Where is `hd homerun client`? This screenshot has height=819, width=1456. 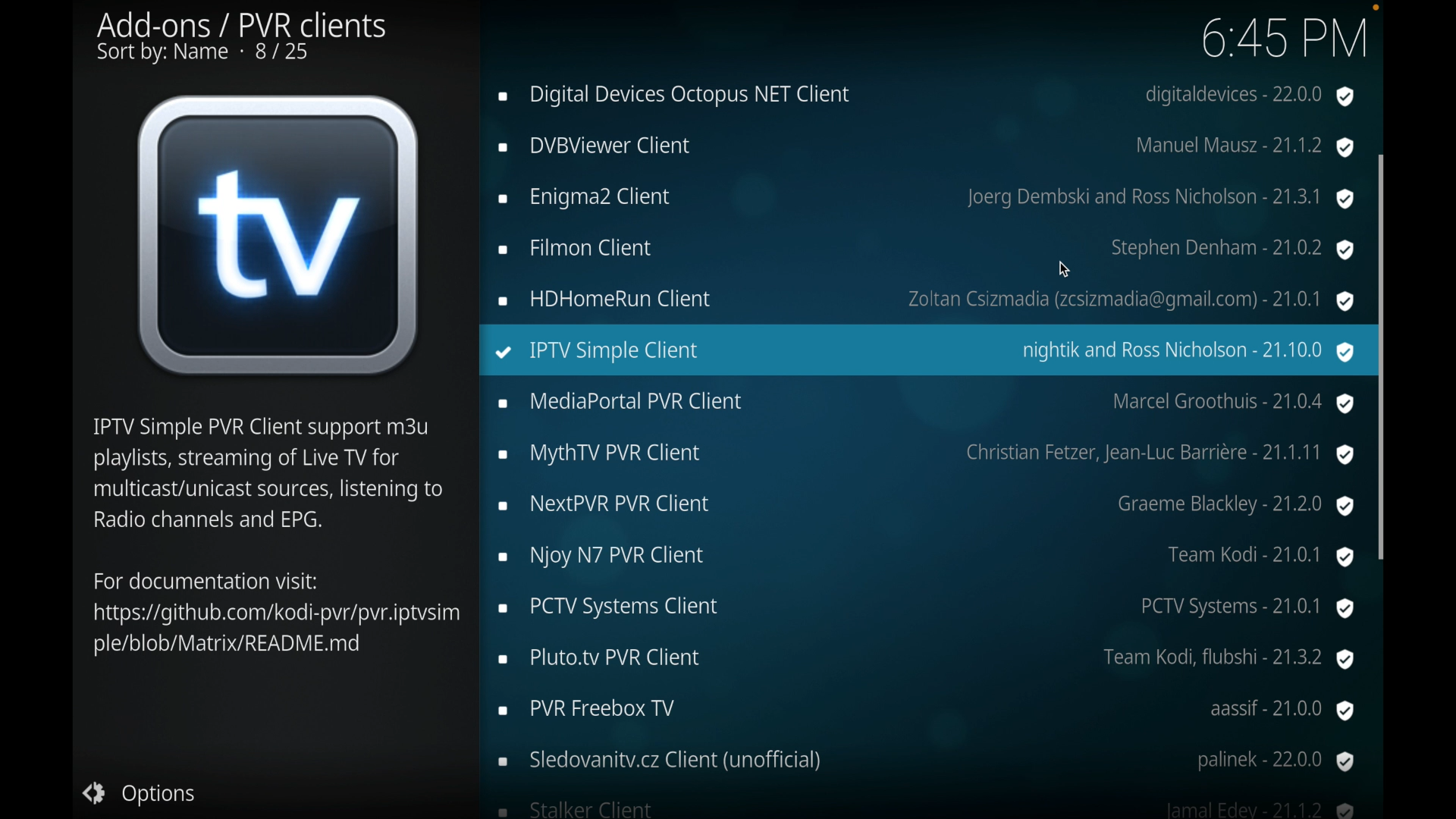 hd homerun client is located at coordinates (924, 300).